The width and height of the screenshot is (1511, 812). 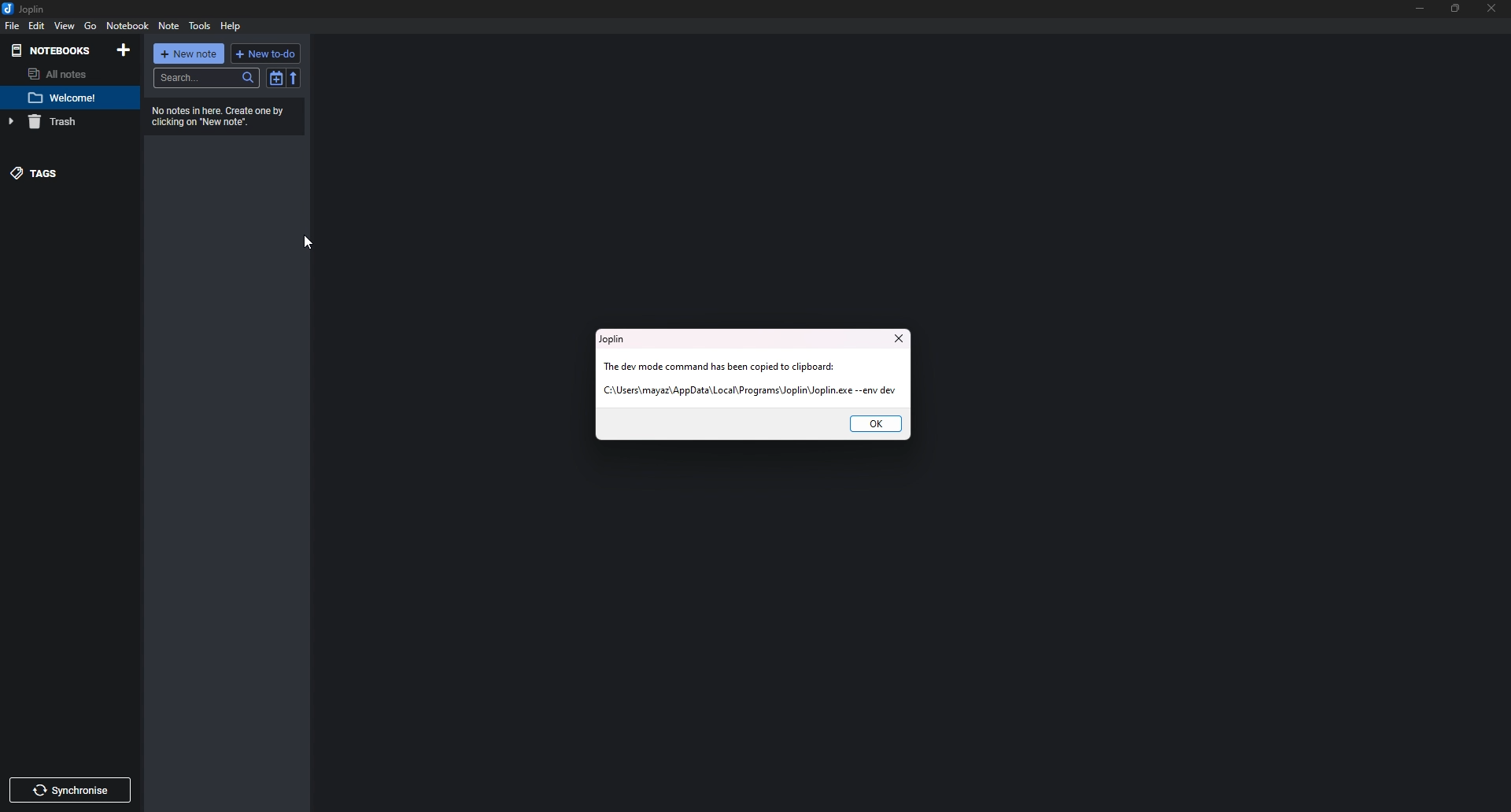 What do you see at coordinates (36, 25) in the screenshot?
I see `edit` at bounding box center [36, 25].